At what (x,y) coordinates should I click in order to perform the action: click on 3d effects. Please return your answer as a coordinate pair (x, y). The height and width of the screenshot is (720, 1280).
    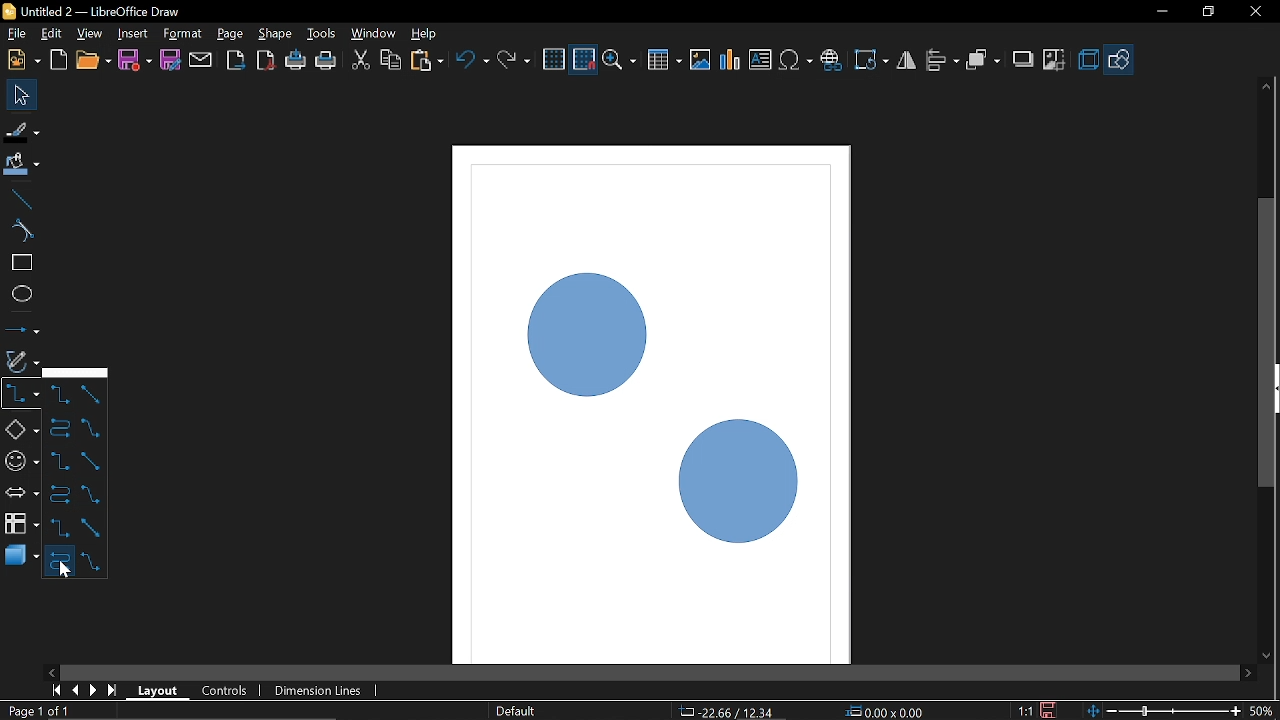
    Looking at the image, I should click on (1090, 60).